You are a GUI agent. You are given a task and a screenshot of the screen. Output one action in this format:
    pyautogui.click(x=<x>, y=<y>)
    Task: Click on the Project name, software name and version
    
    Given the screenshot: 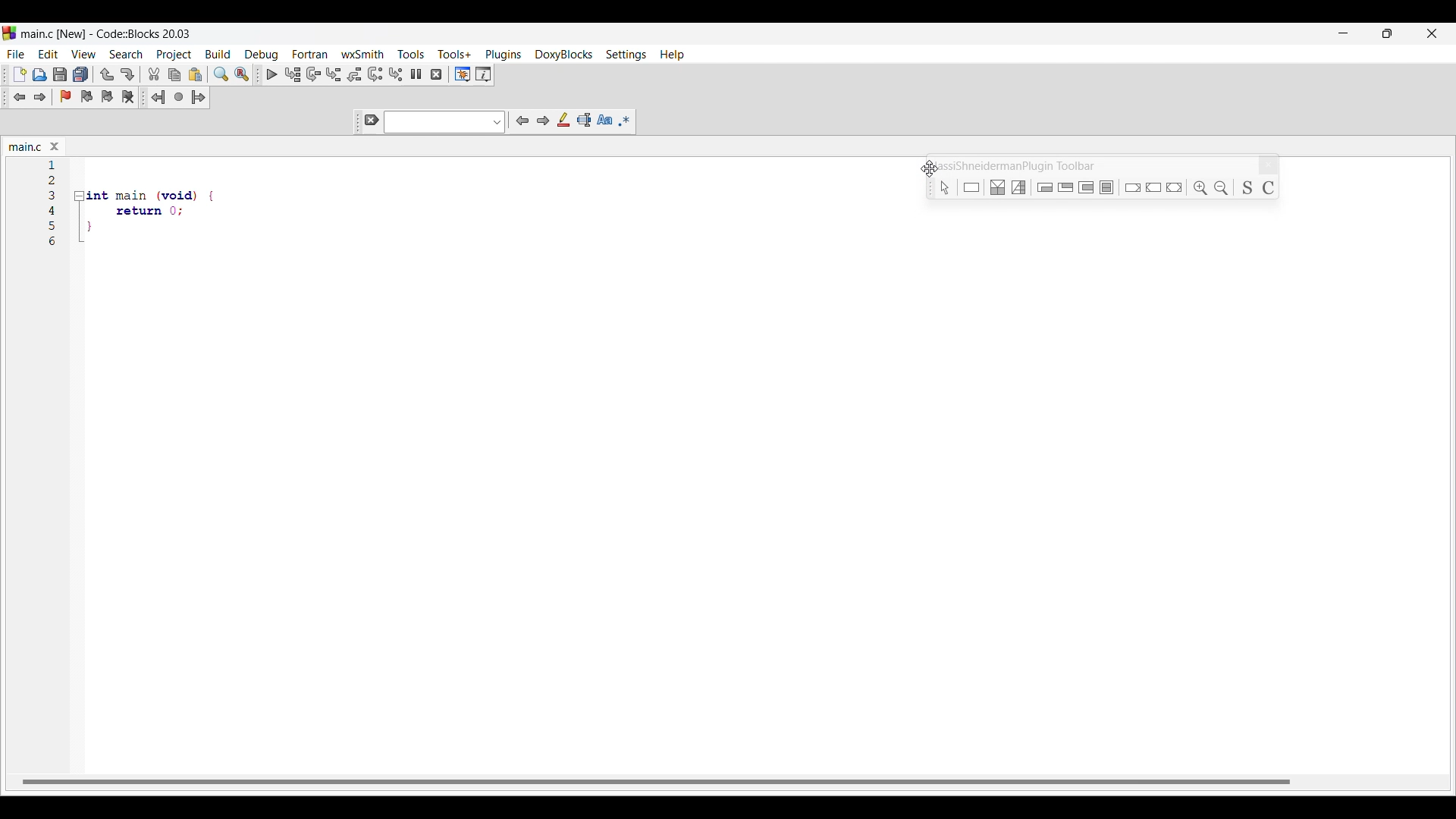 What is the action you would take?
    pyautogui.click(x=106, y=33)
    